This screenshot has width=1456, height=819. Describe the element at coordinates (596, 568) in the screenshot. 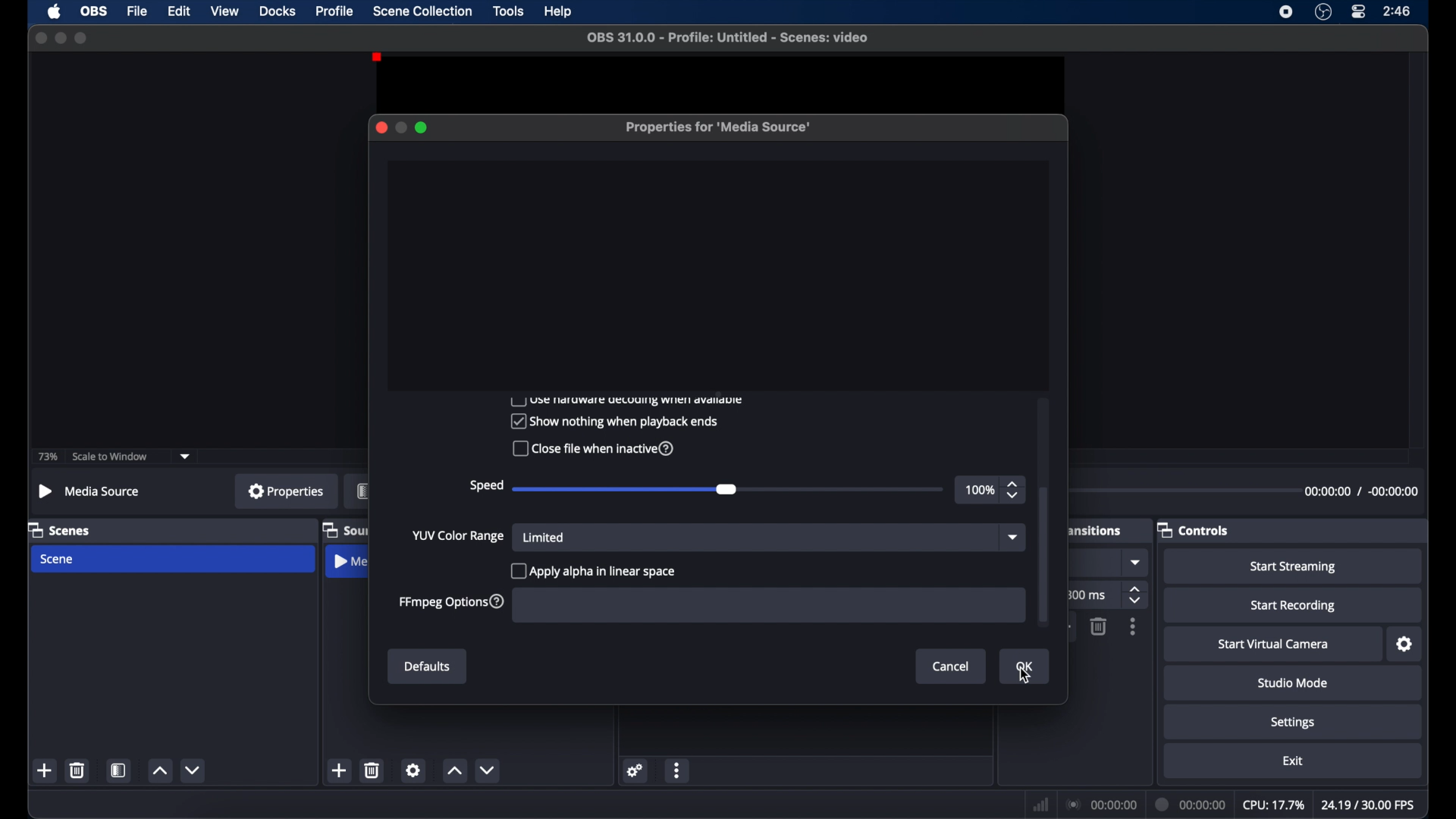

I see `apply alpha in linear space` at that location.